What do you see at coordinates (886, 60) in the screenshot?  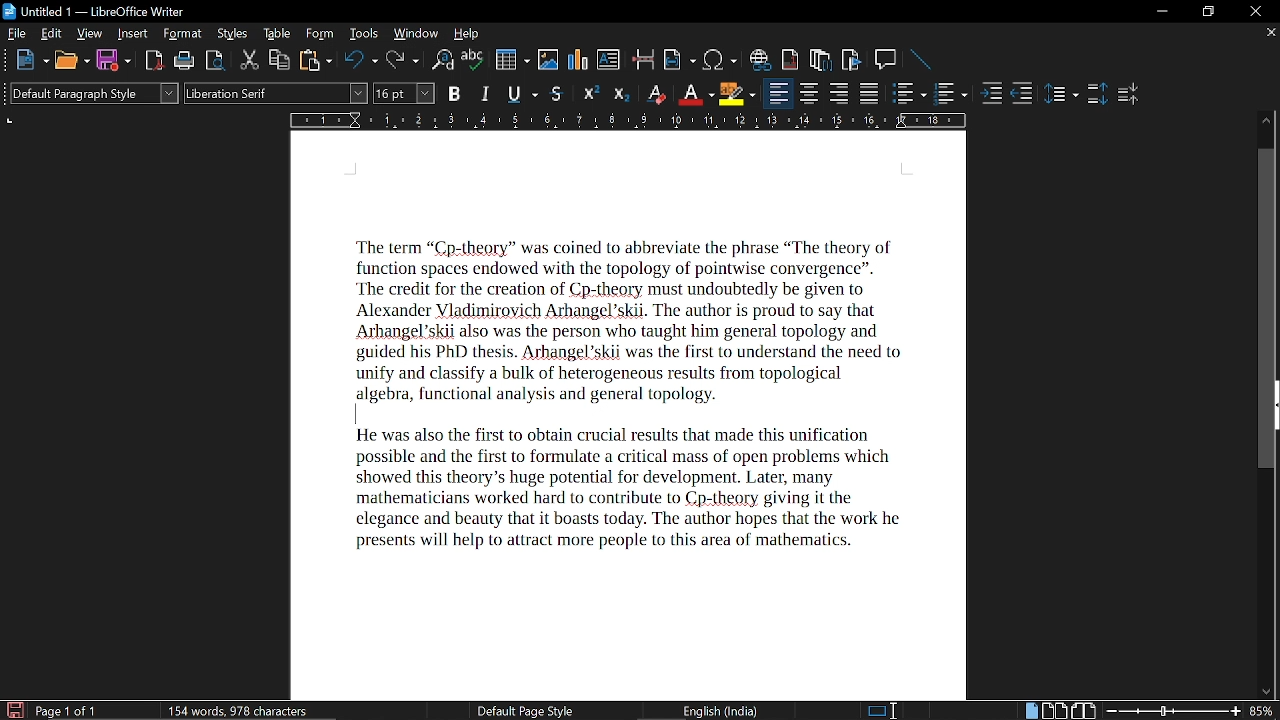 I see `Insert comment` at bounding box center [886, 60].